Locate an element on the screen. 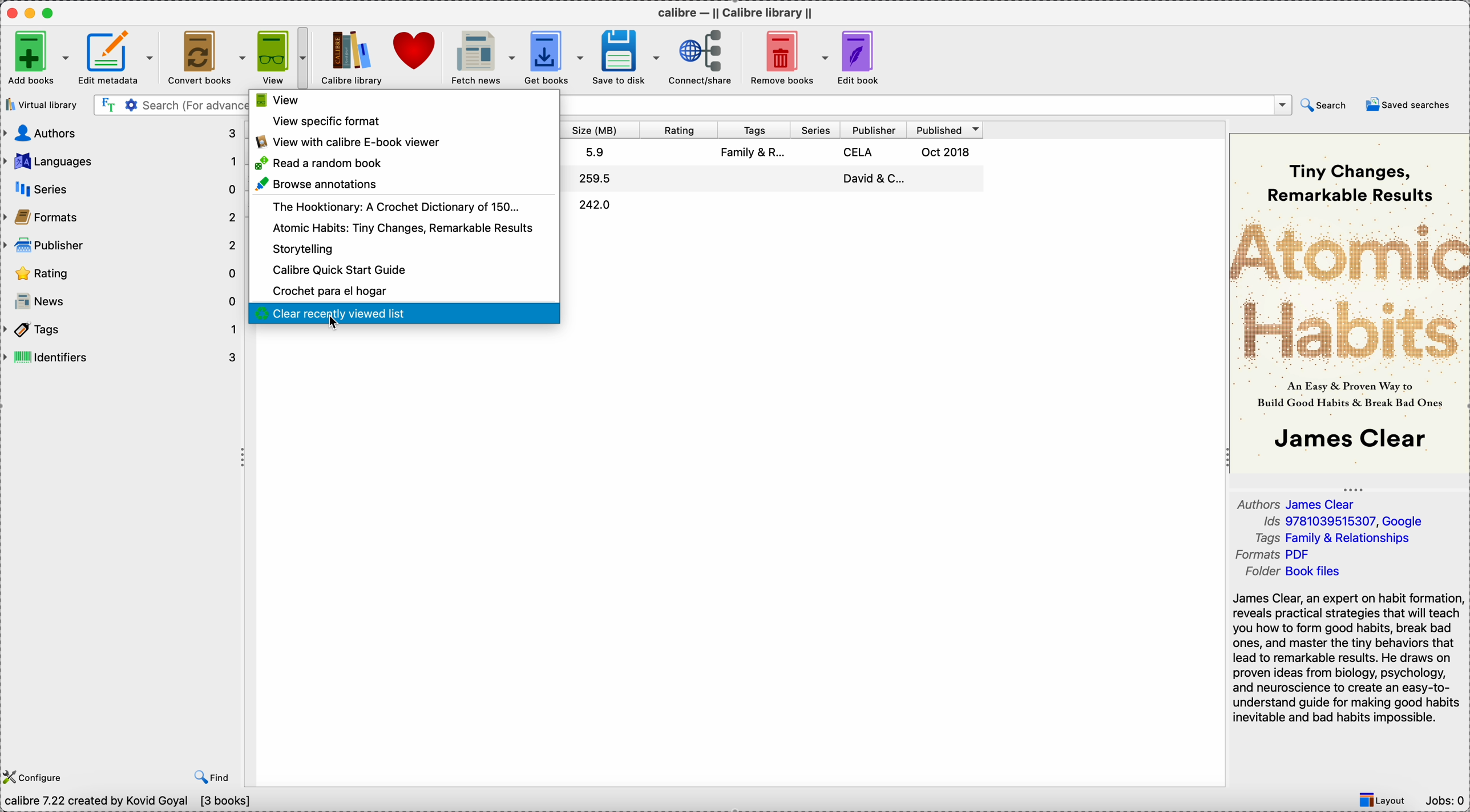 The image size is (1470, 812). layout is located at coordinates (1383, 801).